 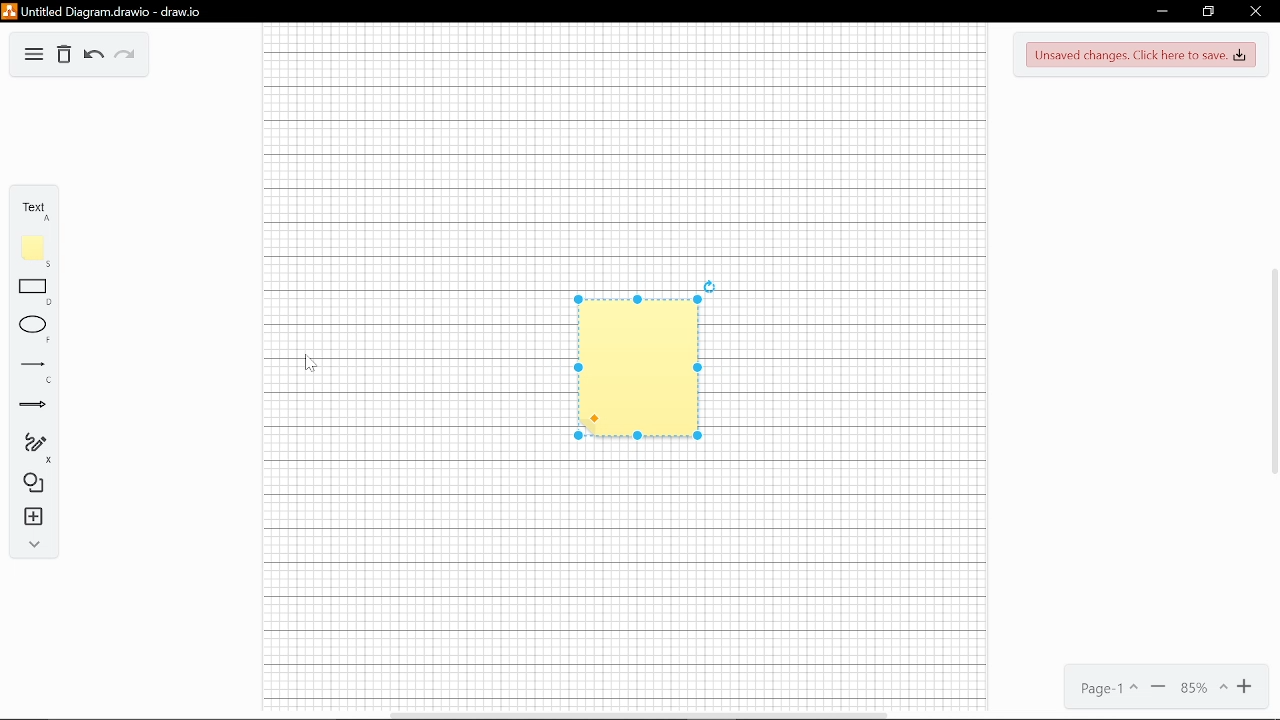 What do you see at coordinates (34, 518) in the screenshot?
I see `Insert` at bounding box center [34, 518].